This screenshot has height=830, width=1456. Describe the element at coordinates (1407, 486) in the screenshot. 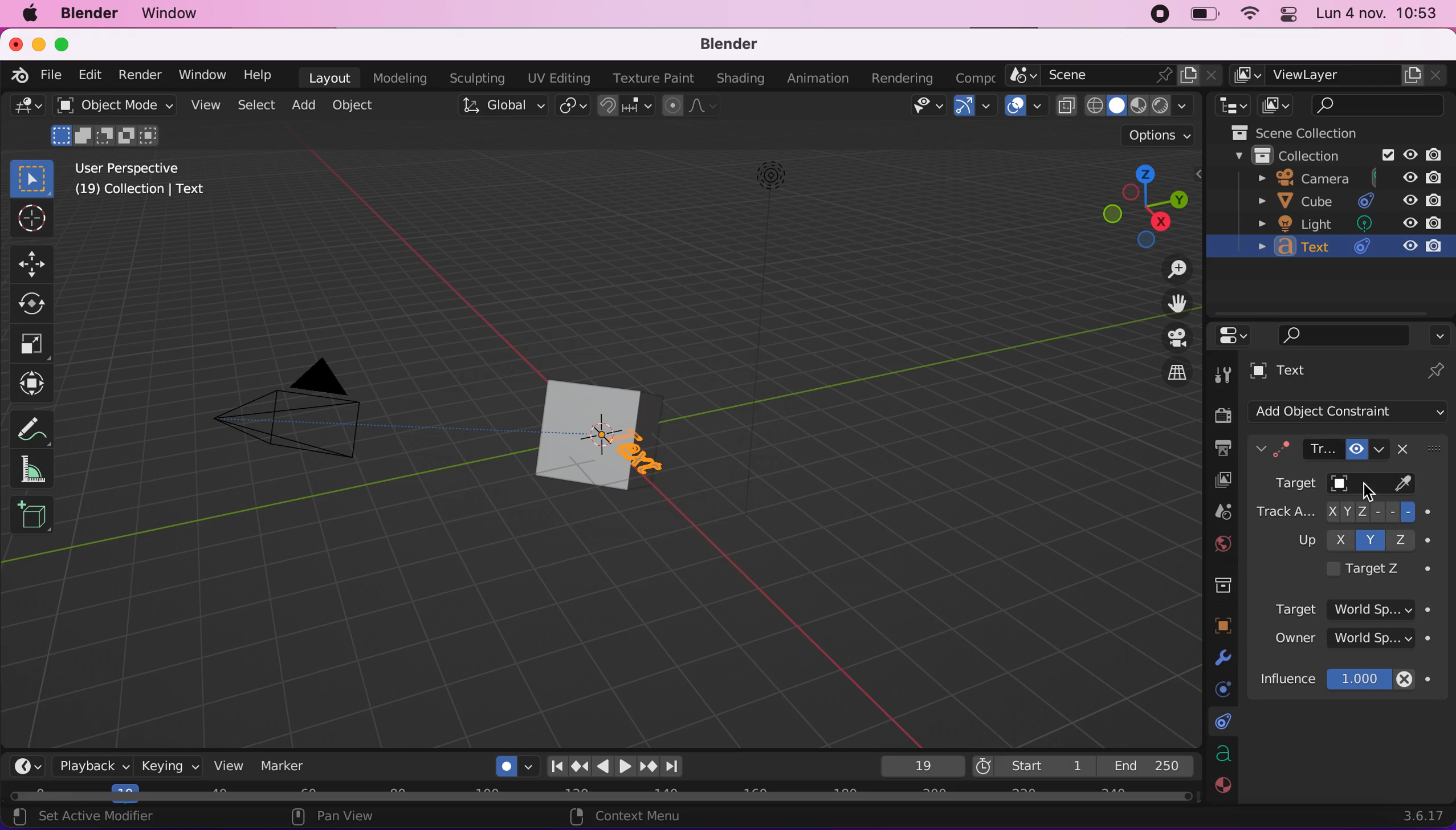

I see `paintbrush` at that location.